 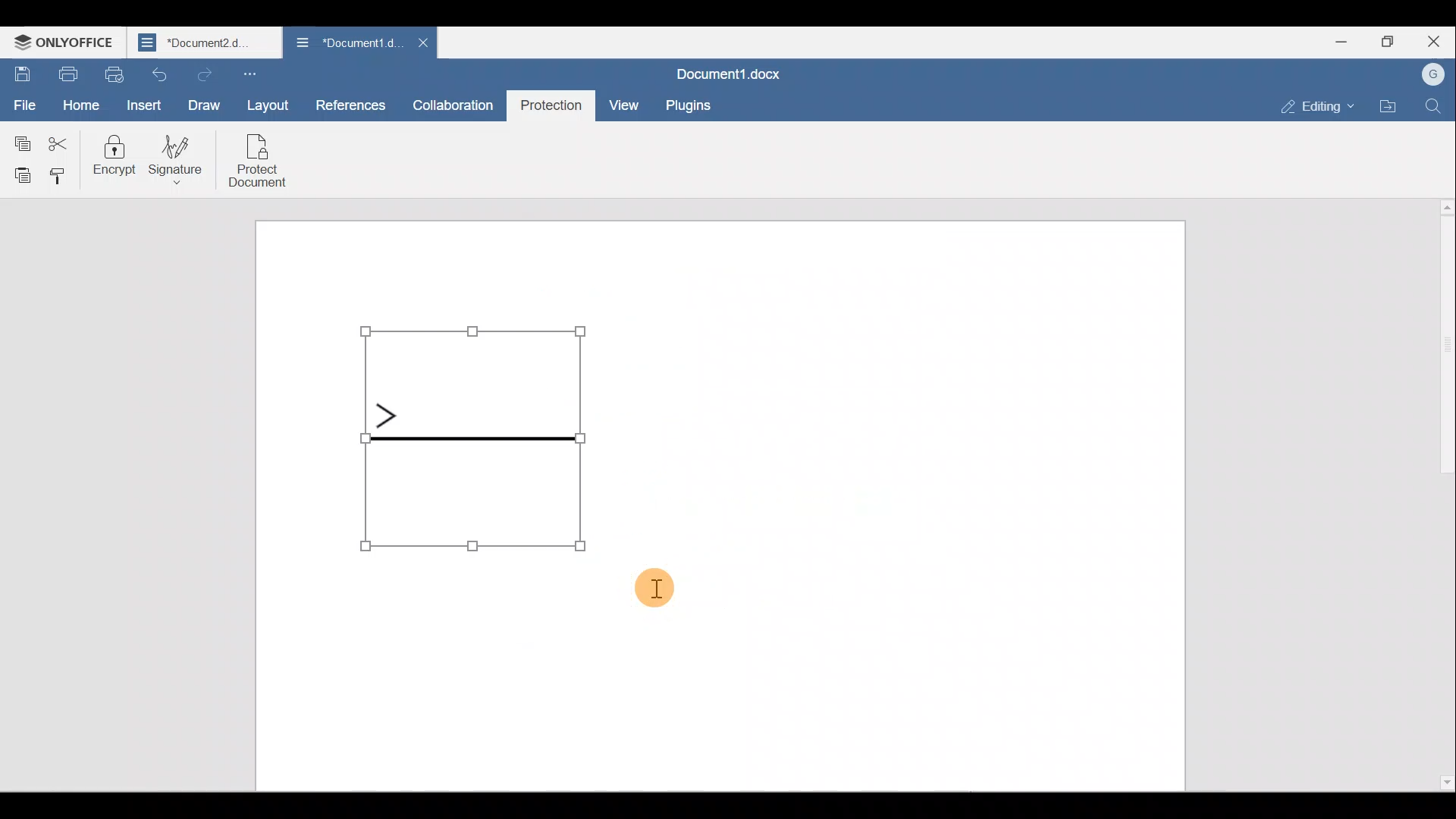 I want to click on Scroll bar, so click(x=1439, y=495).